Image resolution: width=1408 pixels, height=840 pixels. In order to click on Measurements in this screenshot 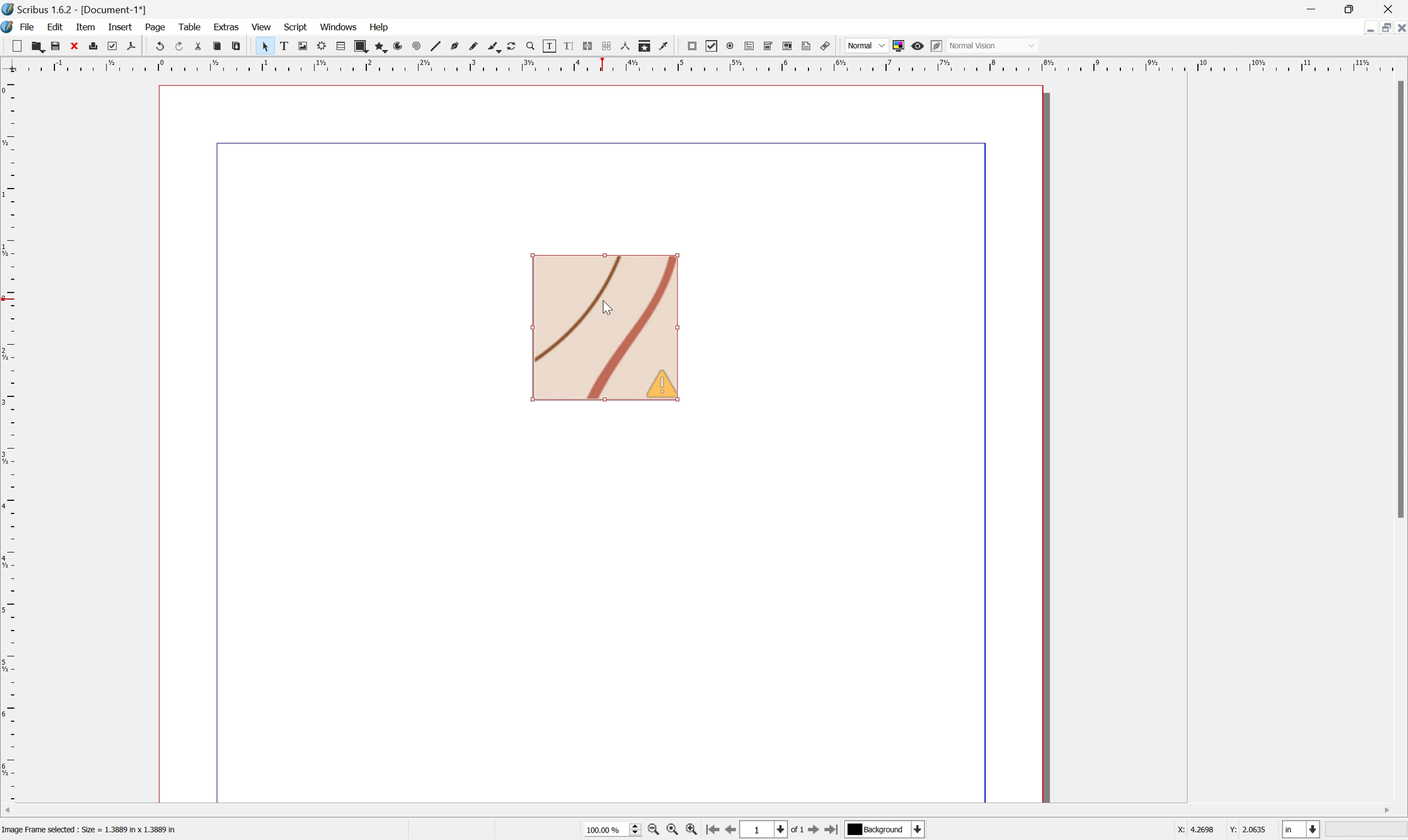, I will do `click(626, 47)`.